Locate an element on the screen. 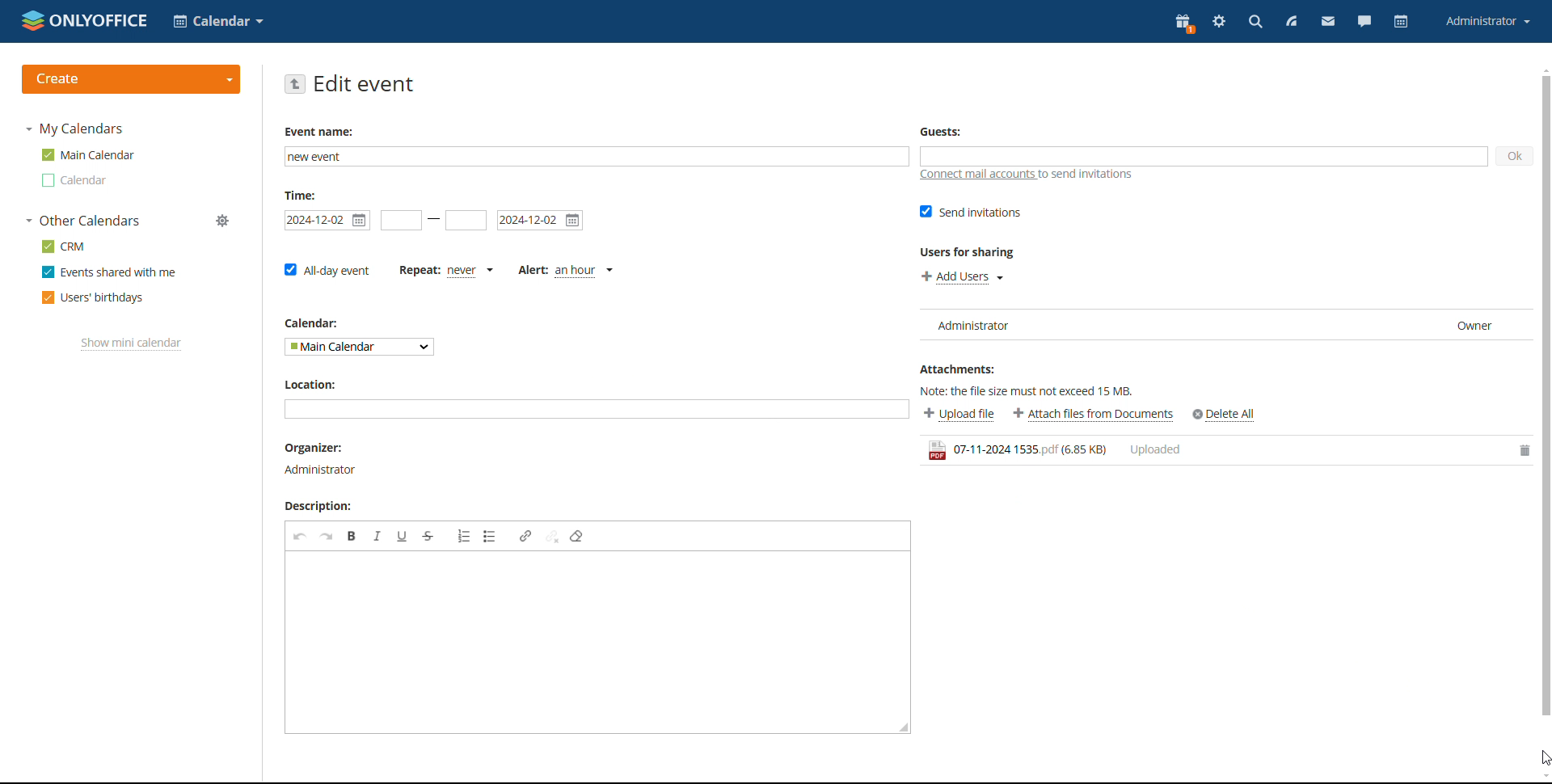  add location is located at coordinates (595, 409).